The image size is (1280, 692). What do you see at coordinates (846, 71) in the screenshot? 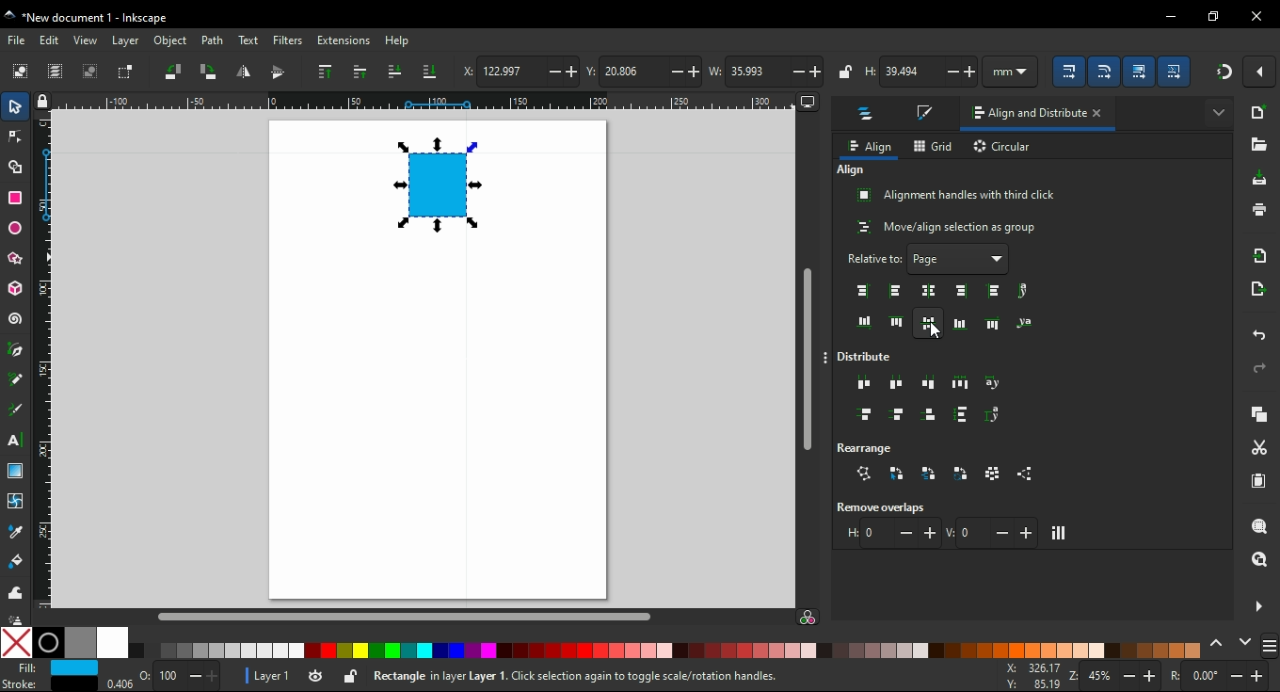
I see `lock ` at bounding box center [846, 71].